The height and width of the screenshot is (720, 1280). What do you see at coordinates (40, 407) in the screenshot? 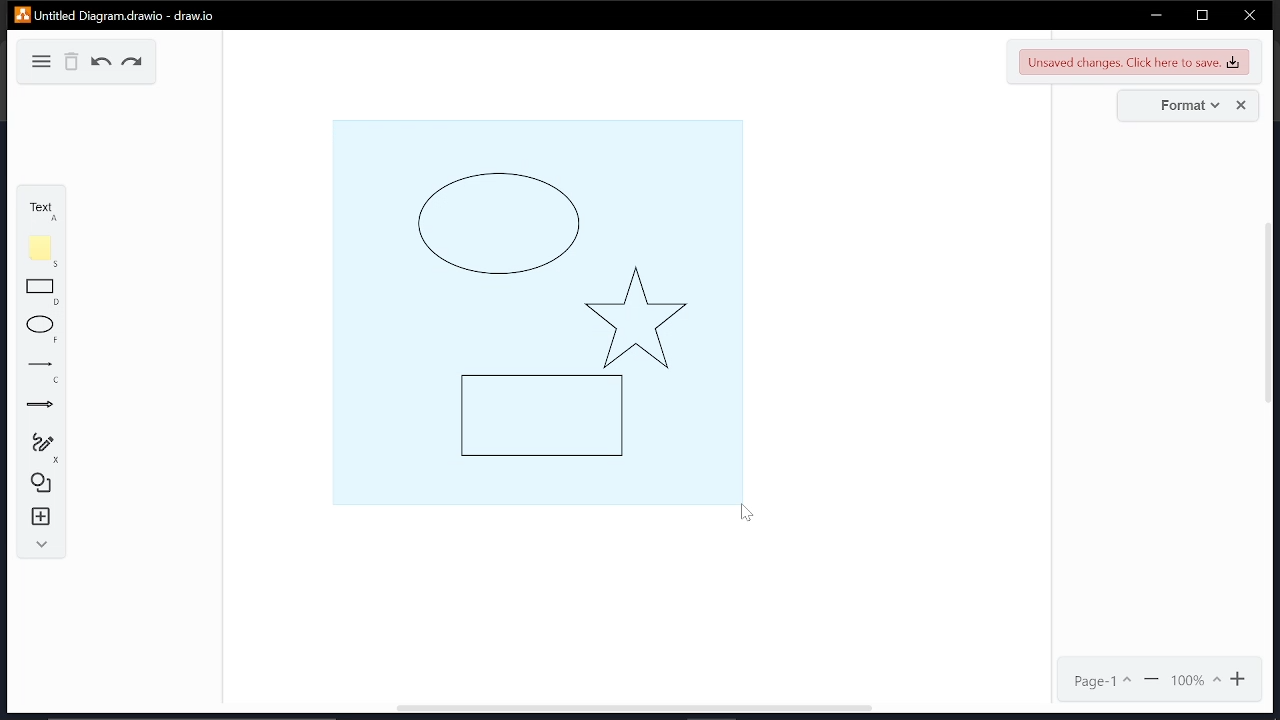
I see `arrows` at bounding box center [40, 407].